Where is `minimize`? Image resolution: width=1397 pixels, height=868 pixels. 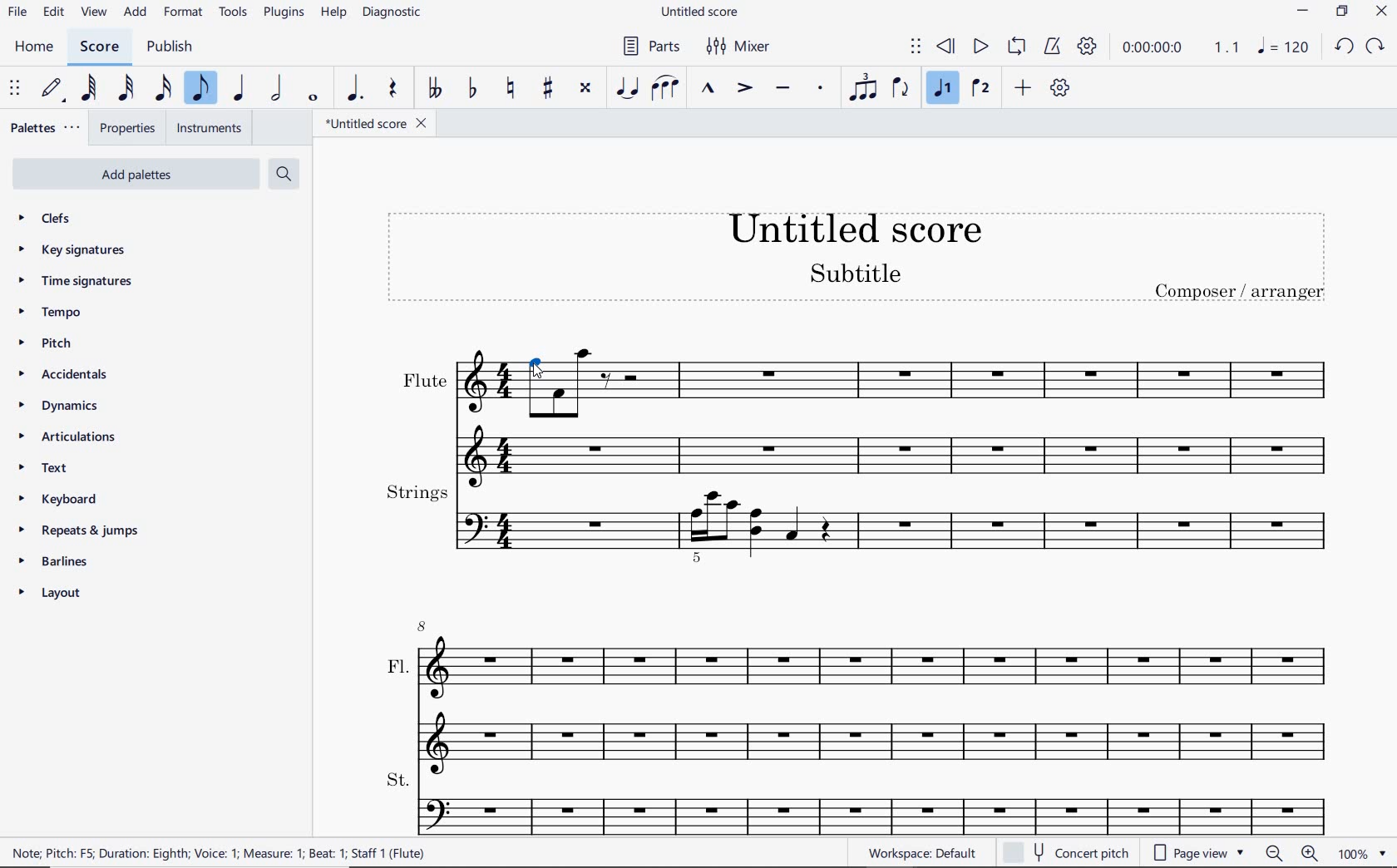 minimize is located at coordinates (1302, 11).